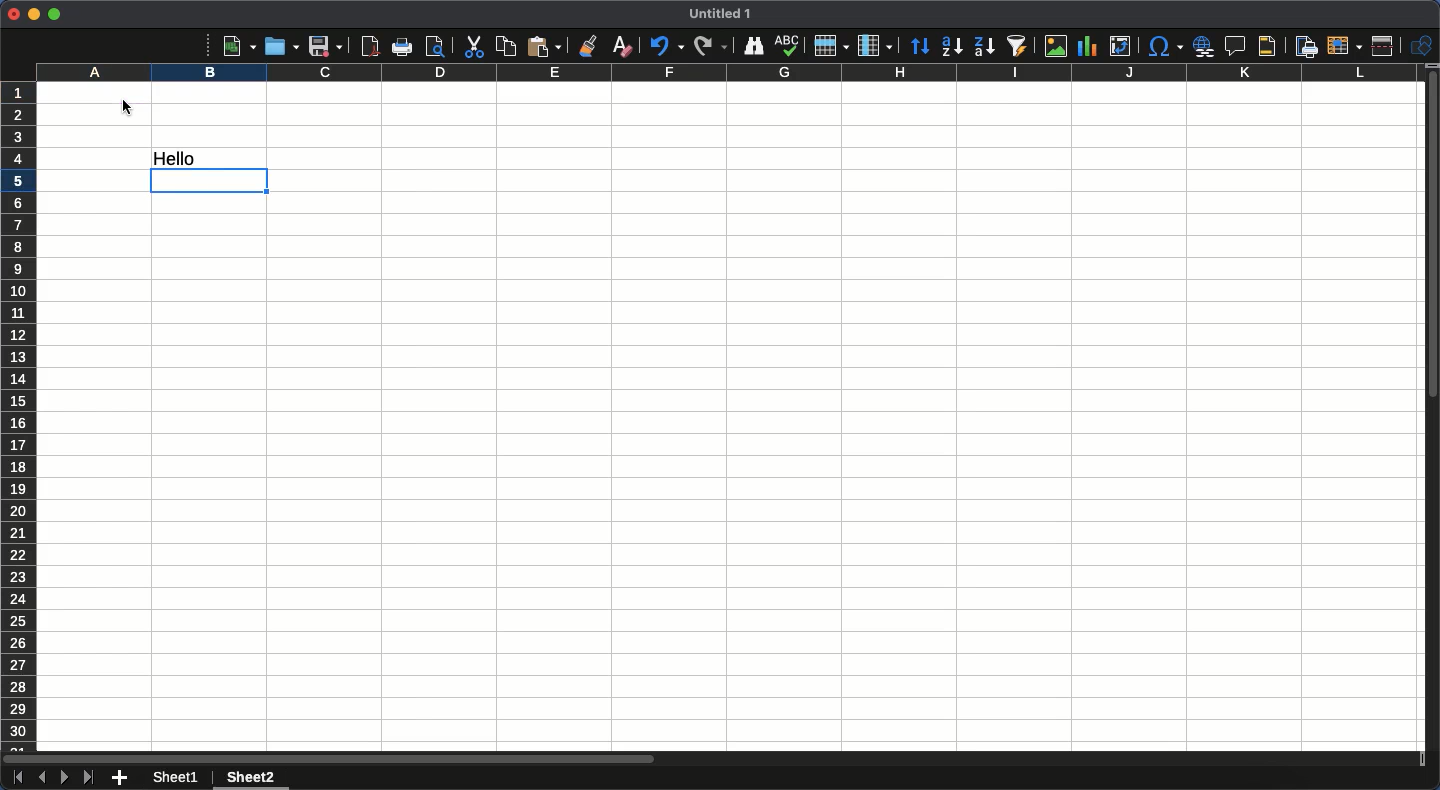 This screenshot has height=790, width=1440. I want to click on Autofilter, so click(1016, 46).